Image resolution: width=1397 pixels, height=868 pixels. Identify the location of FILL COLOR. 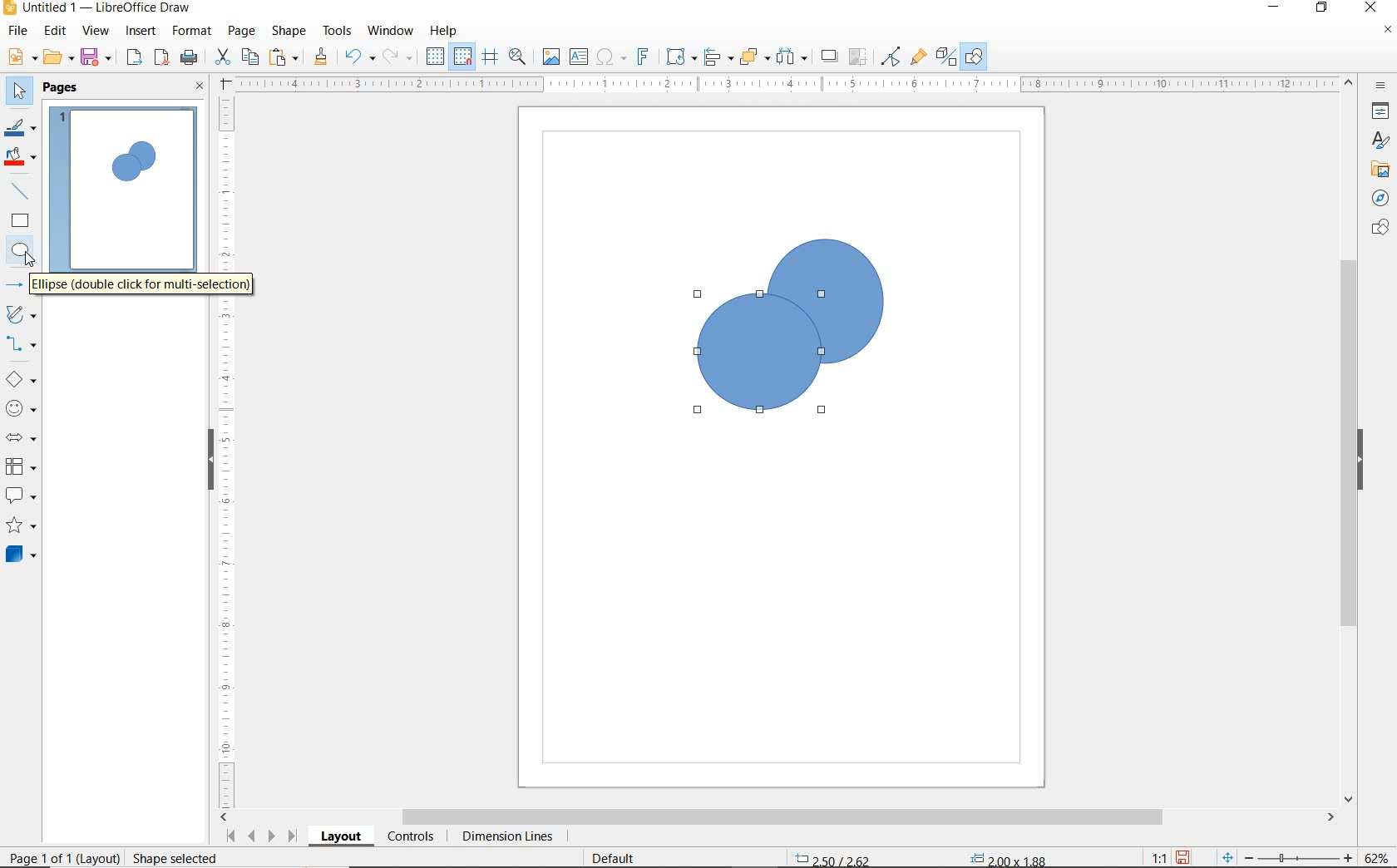
(22, 158).